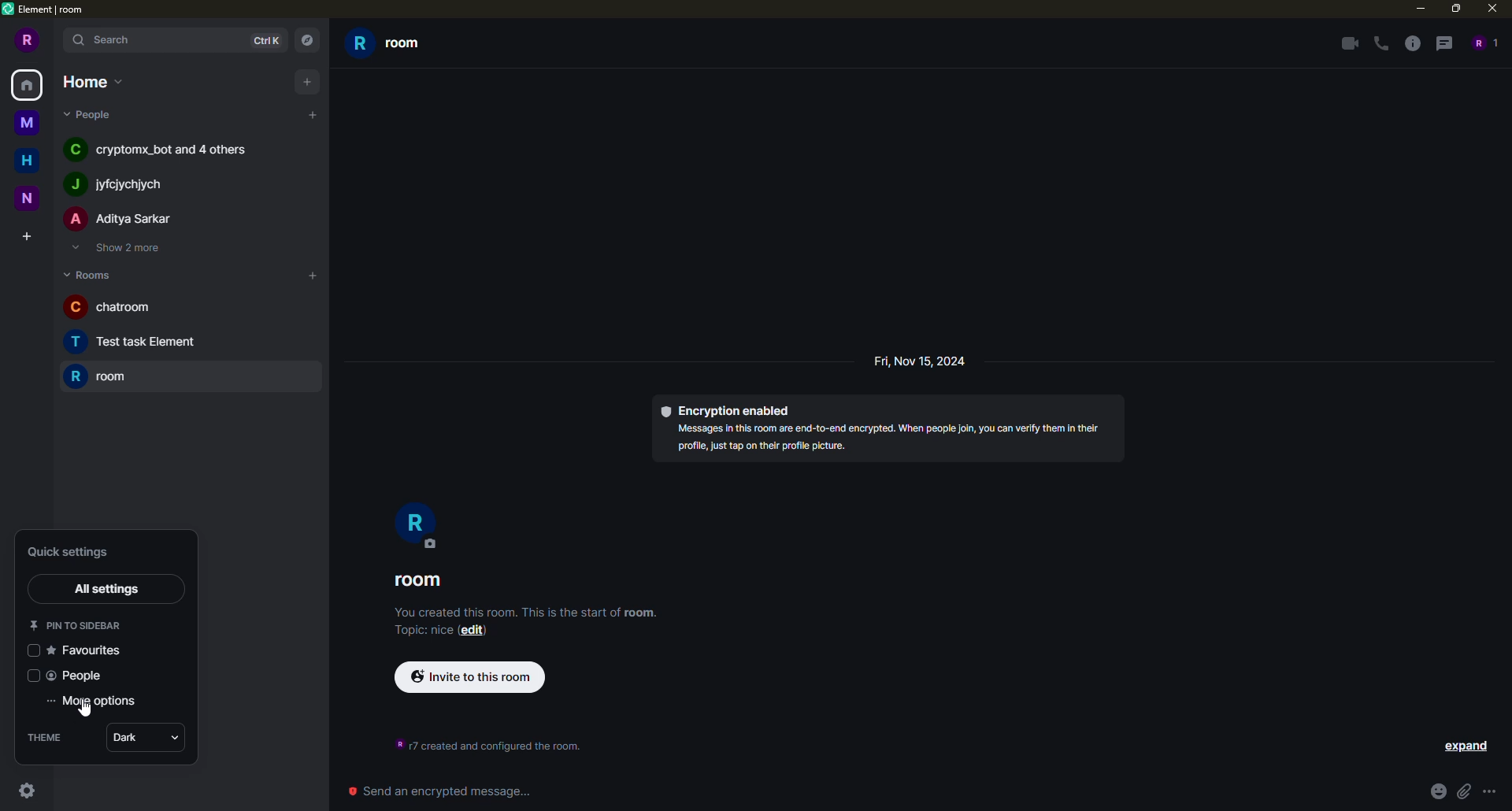  What do you see at coordinates (54, 39) in the screenshot?
I see `expand` at bounding box center [54, 39].